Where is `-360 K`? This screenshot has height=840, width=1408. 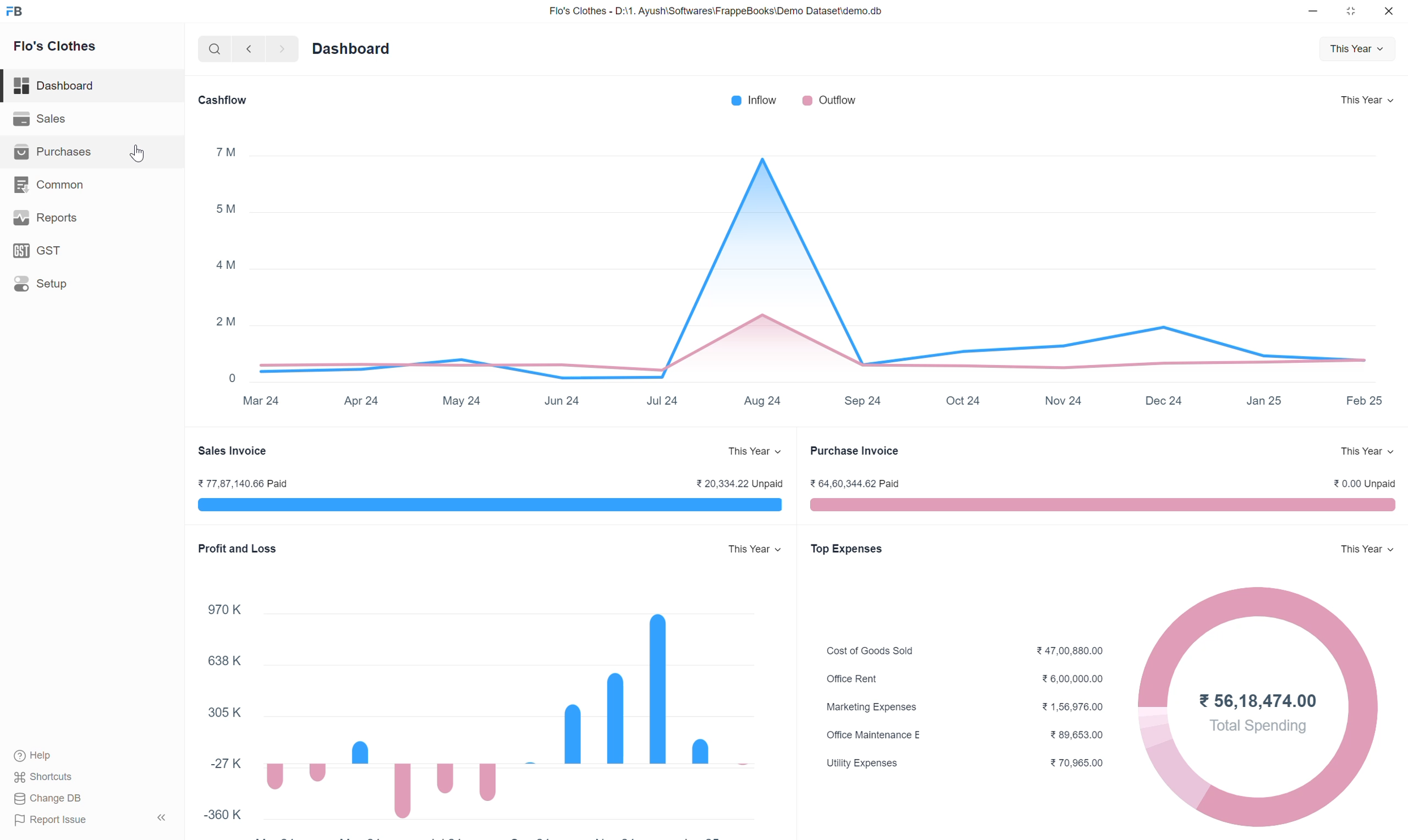 -360 K is located at coordinates (223, 813).